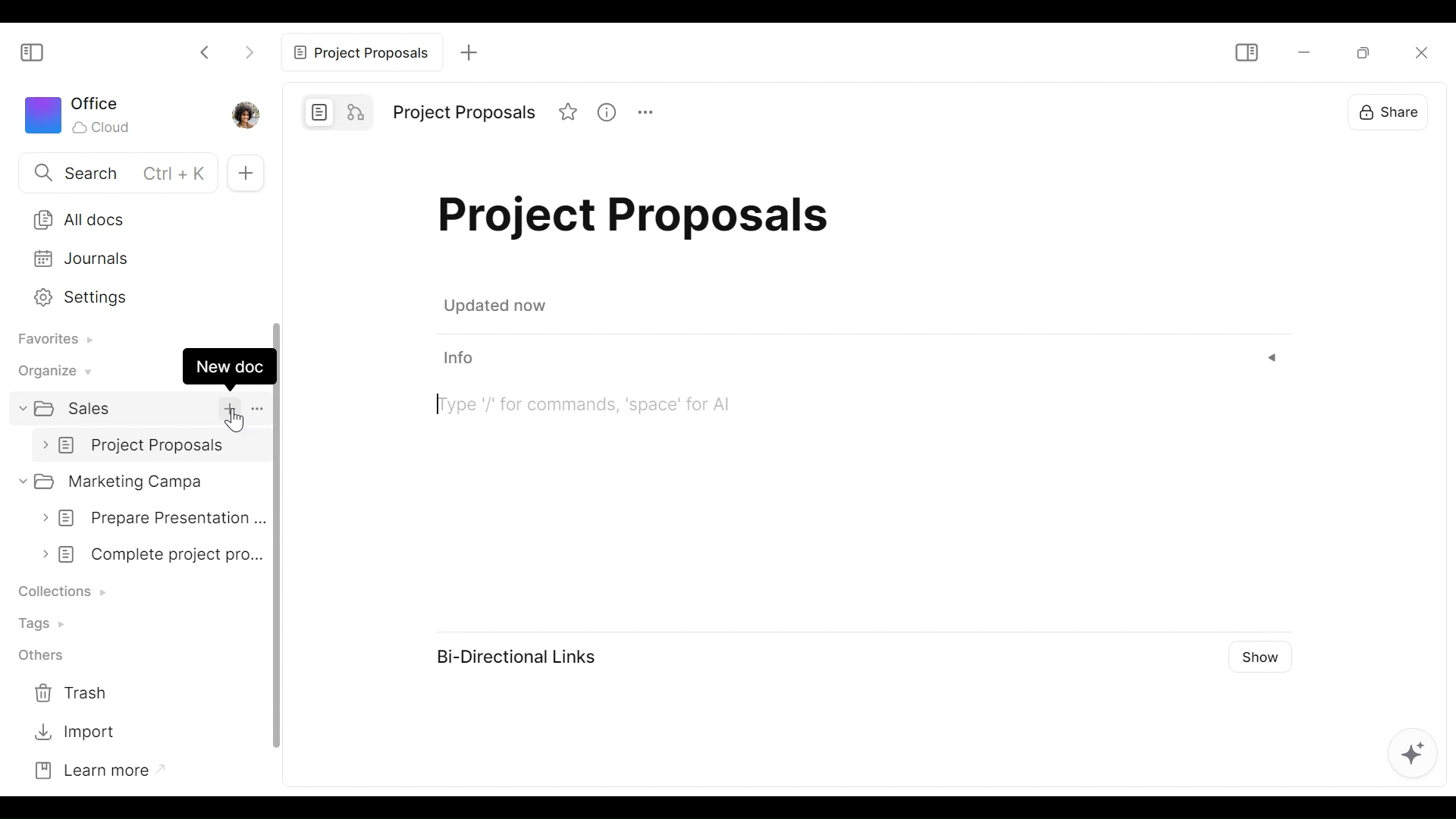 This screenshot has height=819, width=1456. I want to click on add, so click(231, 408).